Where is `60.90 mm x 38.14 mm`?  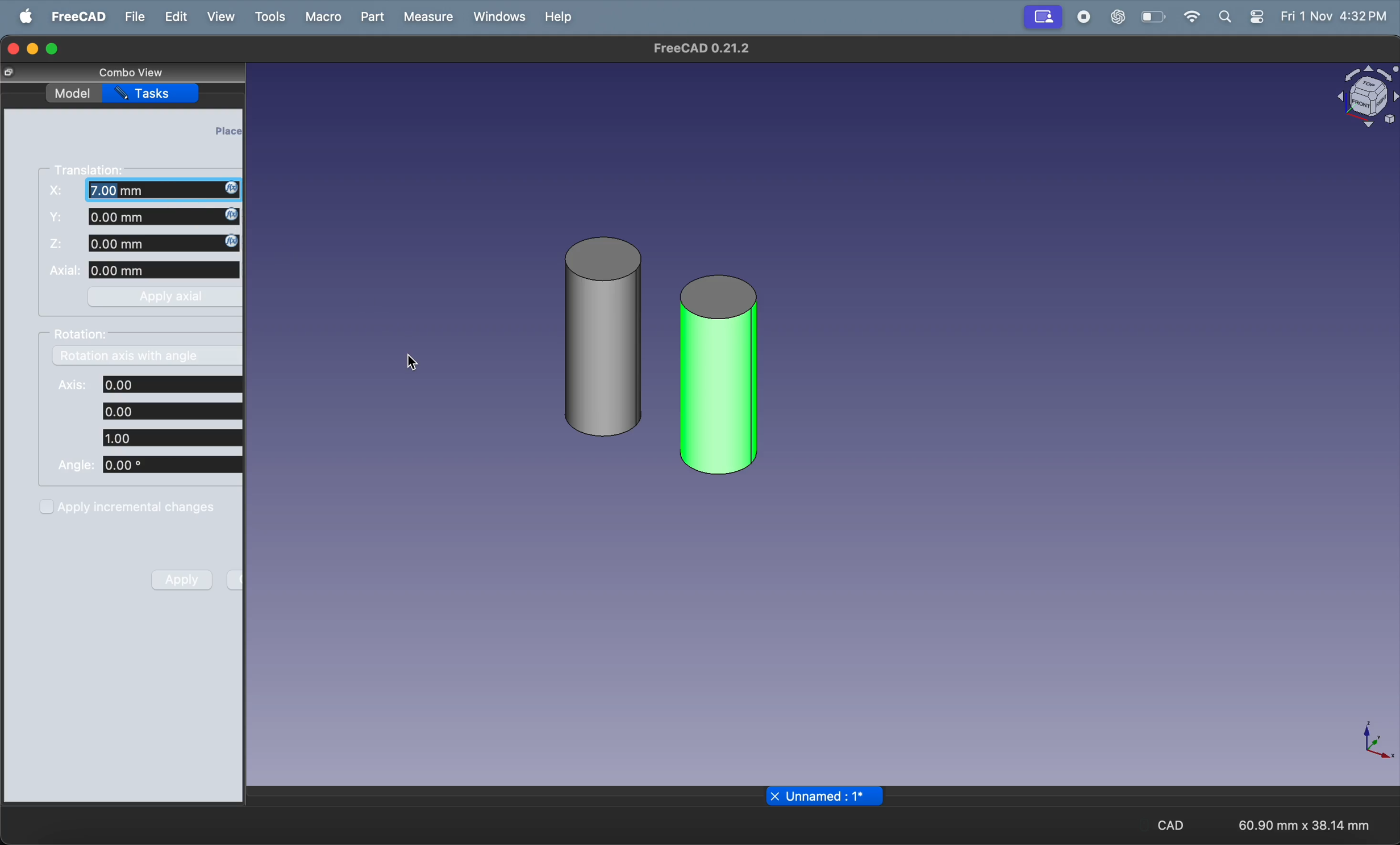 60.90 mm x 38.14 mm is located at coordinates (1304, 825).